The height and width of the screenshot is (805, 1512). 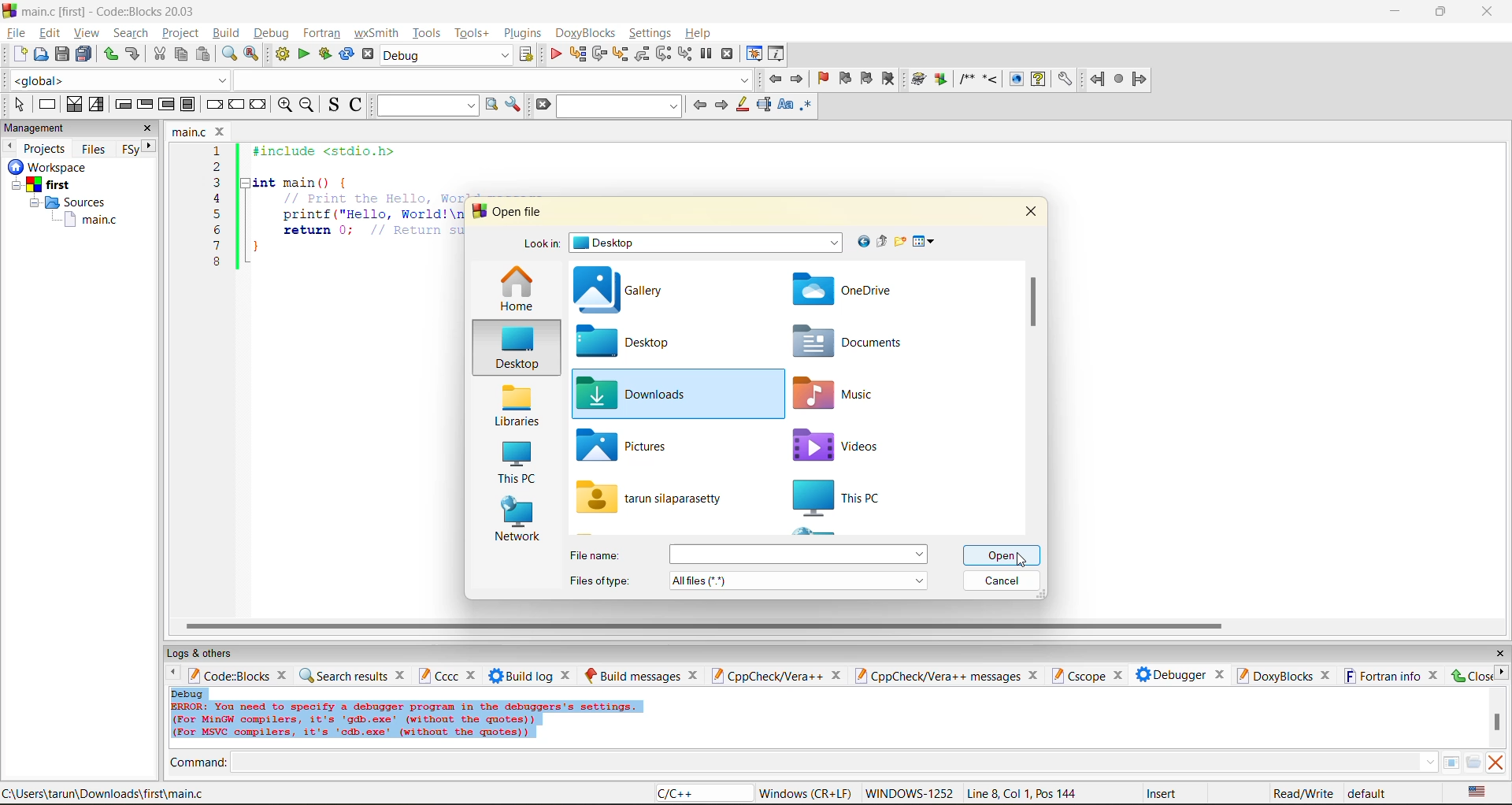 What do you see at coordinates (881, 242) in the screenshot?
I see `up one level` at bounding box center [881, 242].